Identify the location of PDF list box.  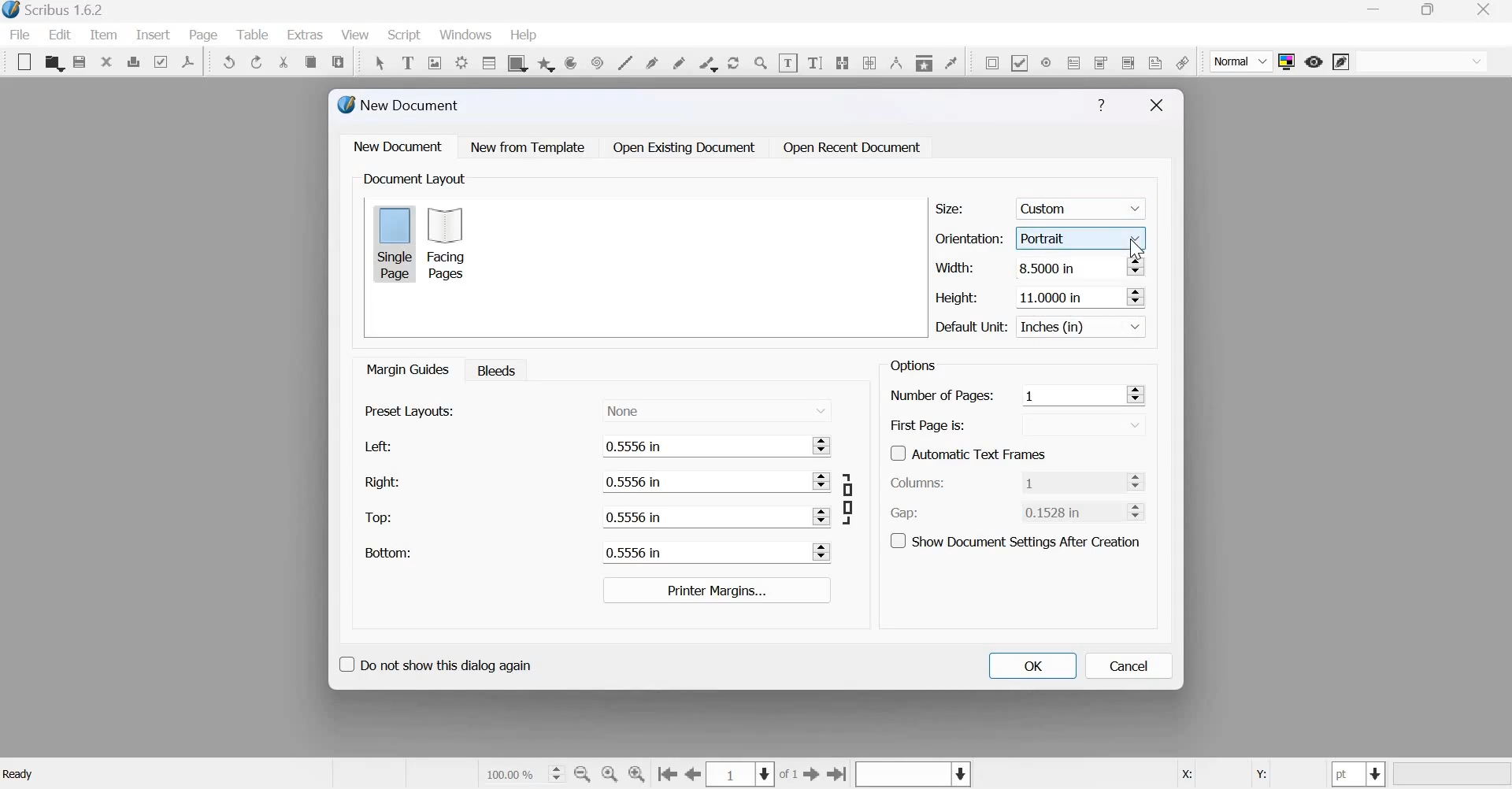
(1127, 61).